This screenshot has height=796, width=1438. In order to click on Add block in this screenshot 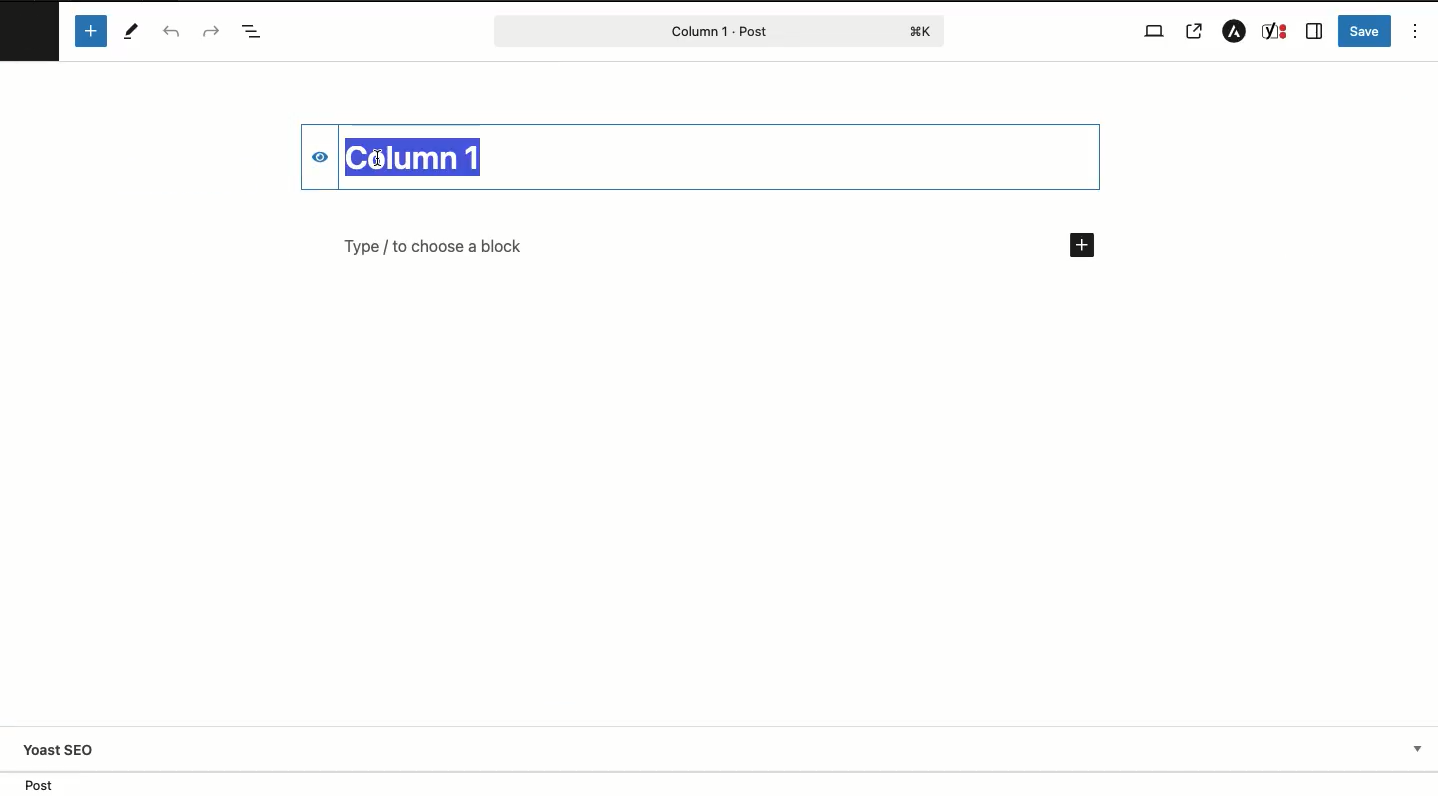, I will do `click(668, 246)`.